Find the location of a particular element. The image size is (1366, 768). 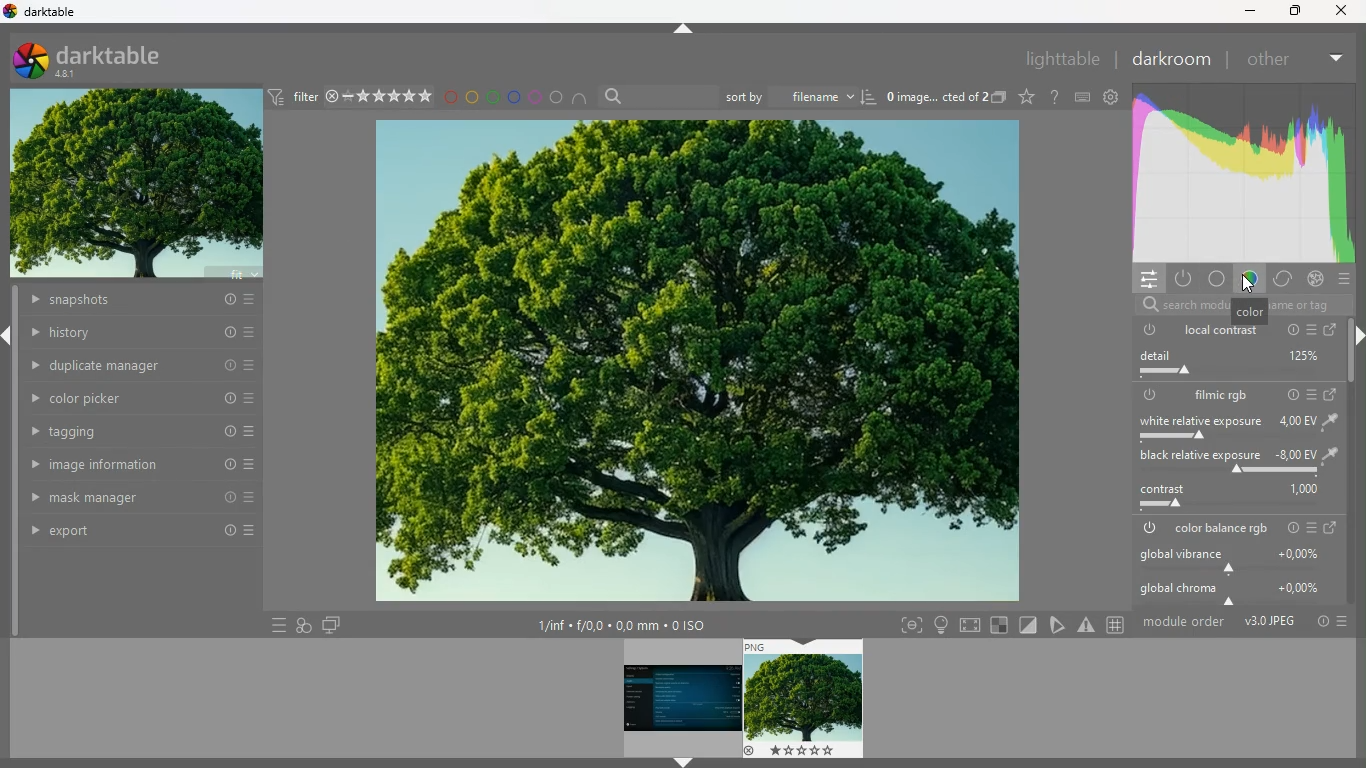

change is located at coordinates (1281, 280).